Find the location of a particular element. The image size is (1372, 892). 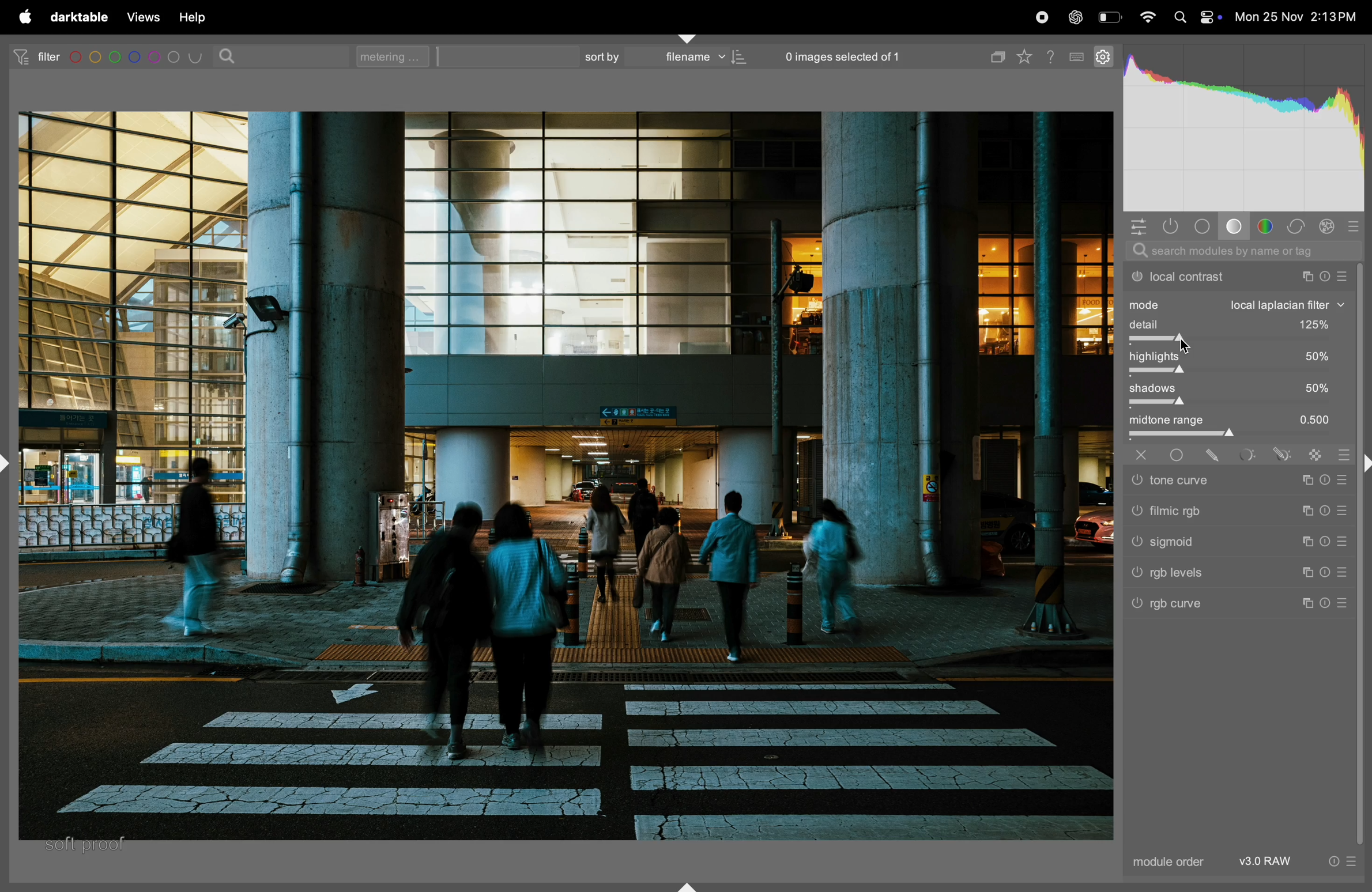

quick acesss panel is located at coordinates (1138, 226).